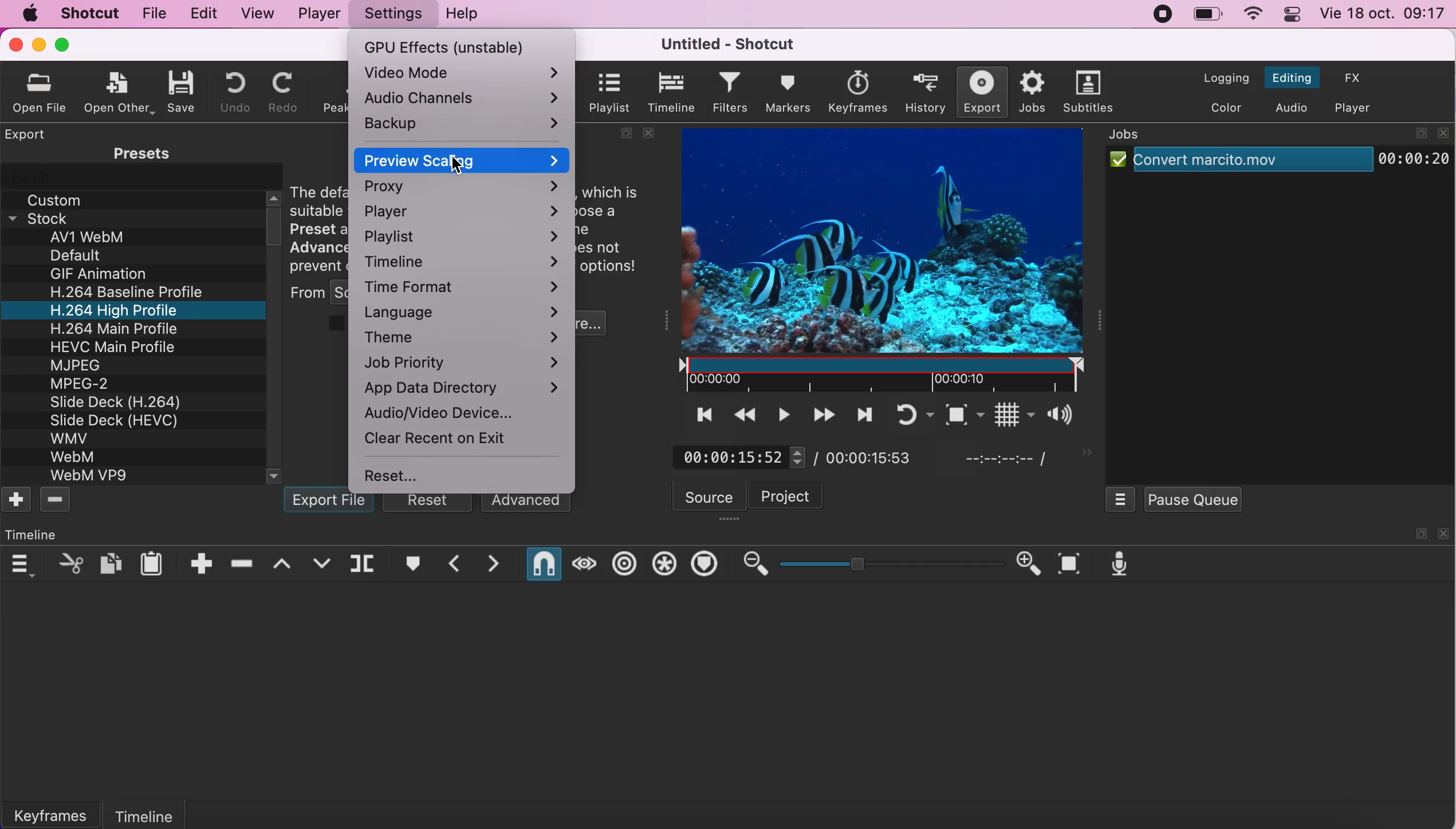  I want to click on keyframes, so click(855, 90).